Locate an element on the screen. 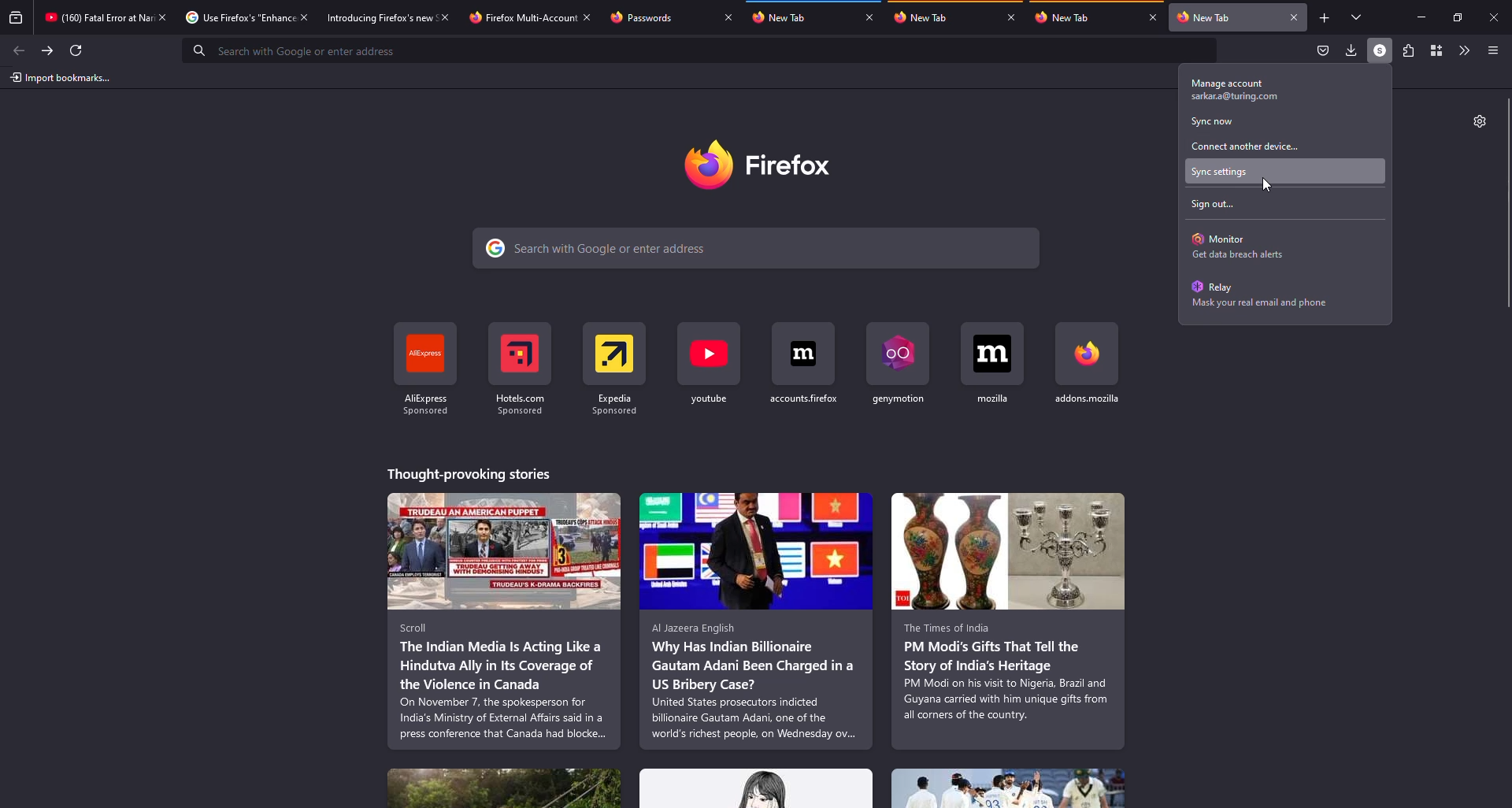  shortcut is located at coordinates (710, 362).